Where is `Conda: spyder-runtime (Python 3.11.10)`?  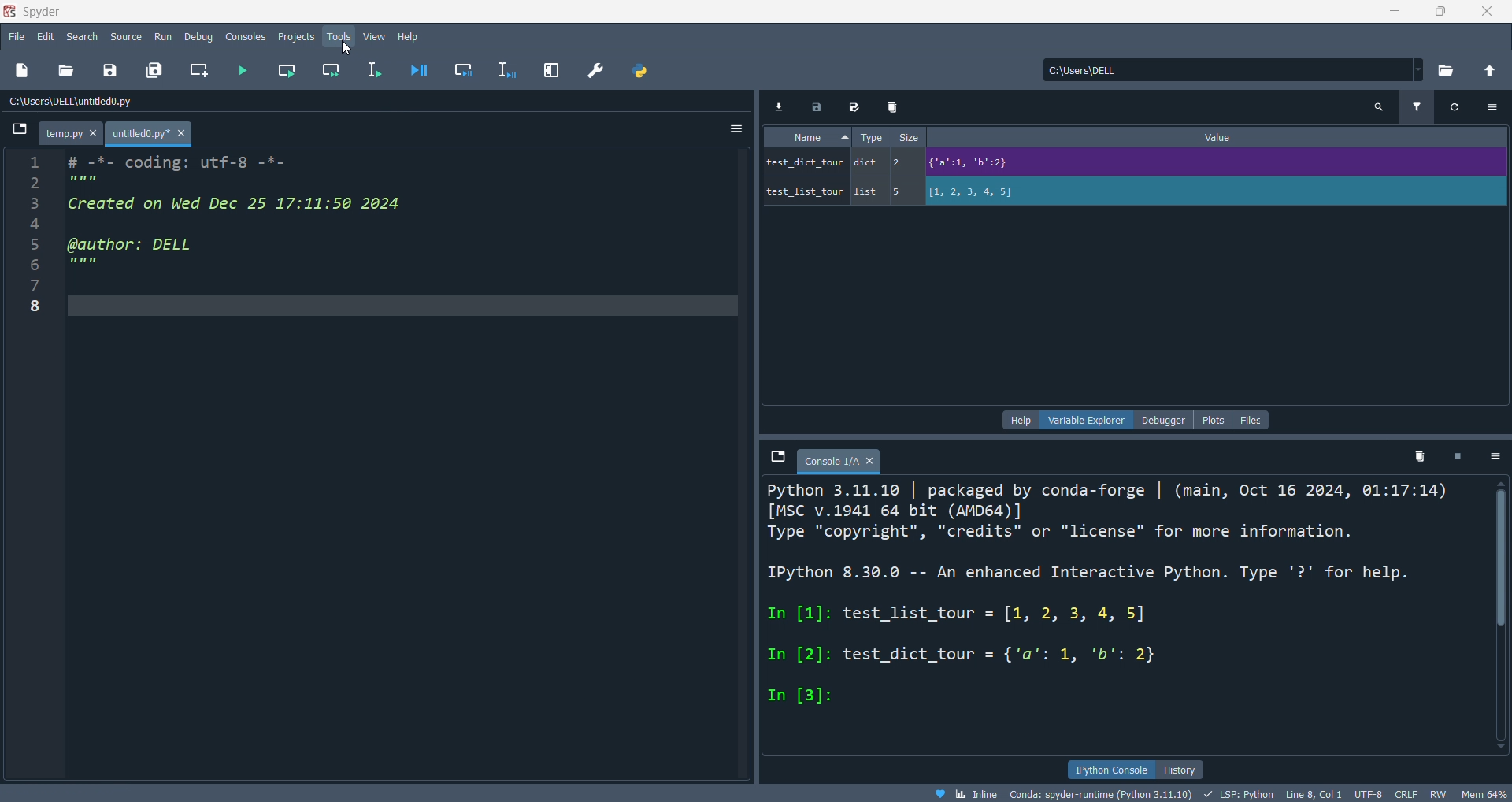 Conda: spyder-runtime (Python 3.11.10) is located at coordinates (1099, 793).